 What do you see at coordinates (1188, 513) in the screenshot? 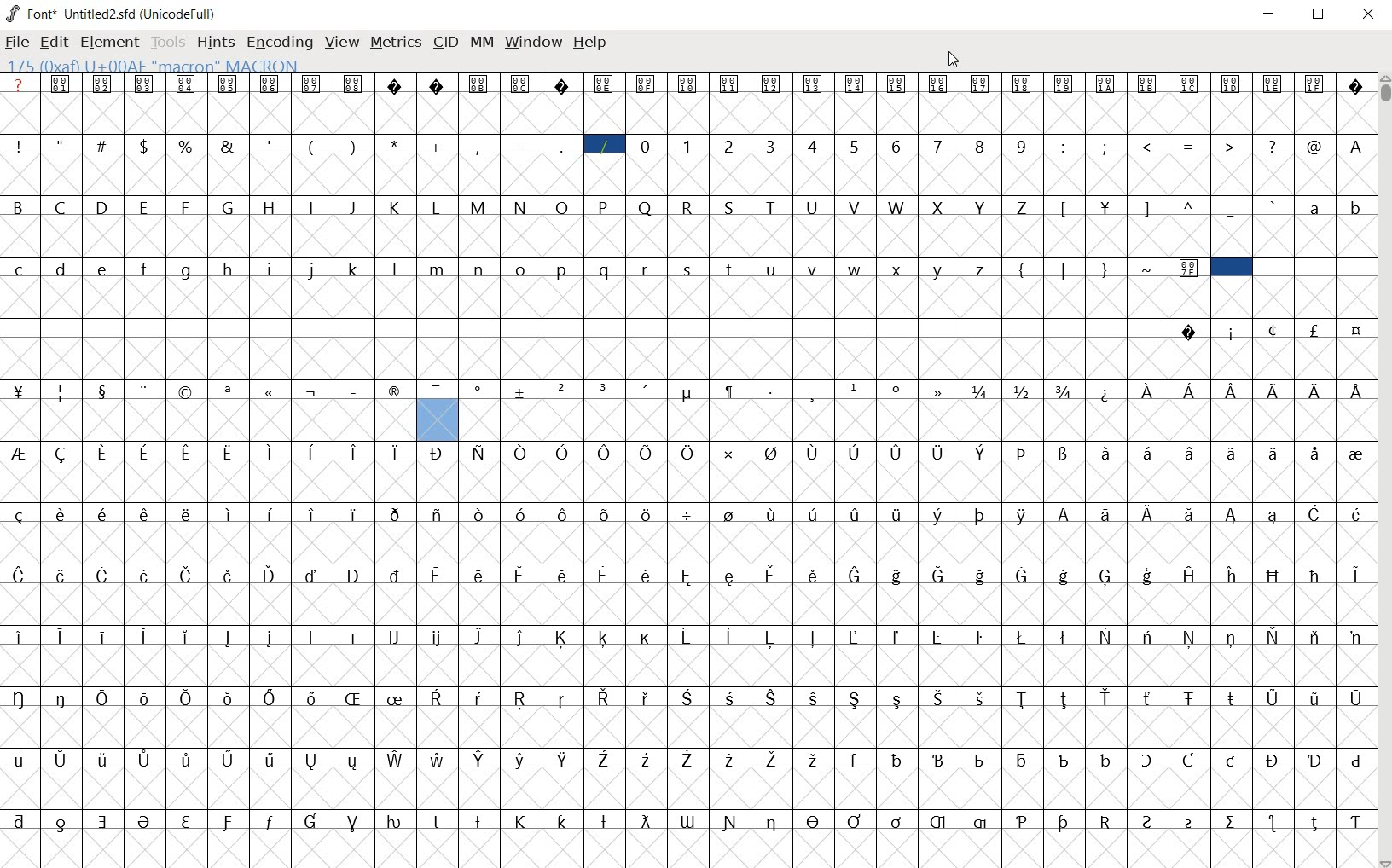
I see `Symbol` at bounding box center [1188, 513].